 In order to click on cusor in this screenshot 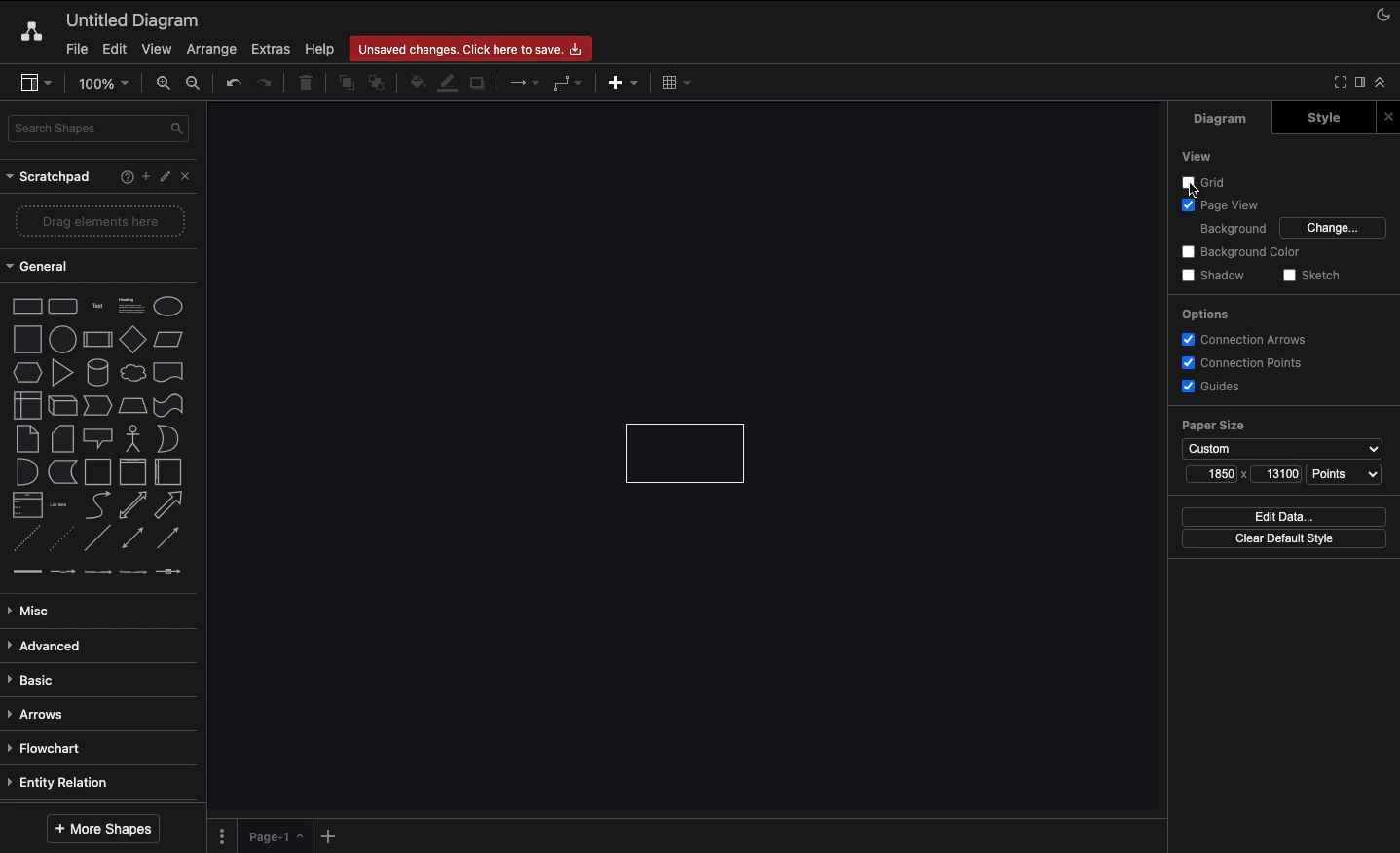, I will do `click(1197, 193)`.